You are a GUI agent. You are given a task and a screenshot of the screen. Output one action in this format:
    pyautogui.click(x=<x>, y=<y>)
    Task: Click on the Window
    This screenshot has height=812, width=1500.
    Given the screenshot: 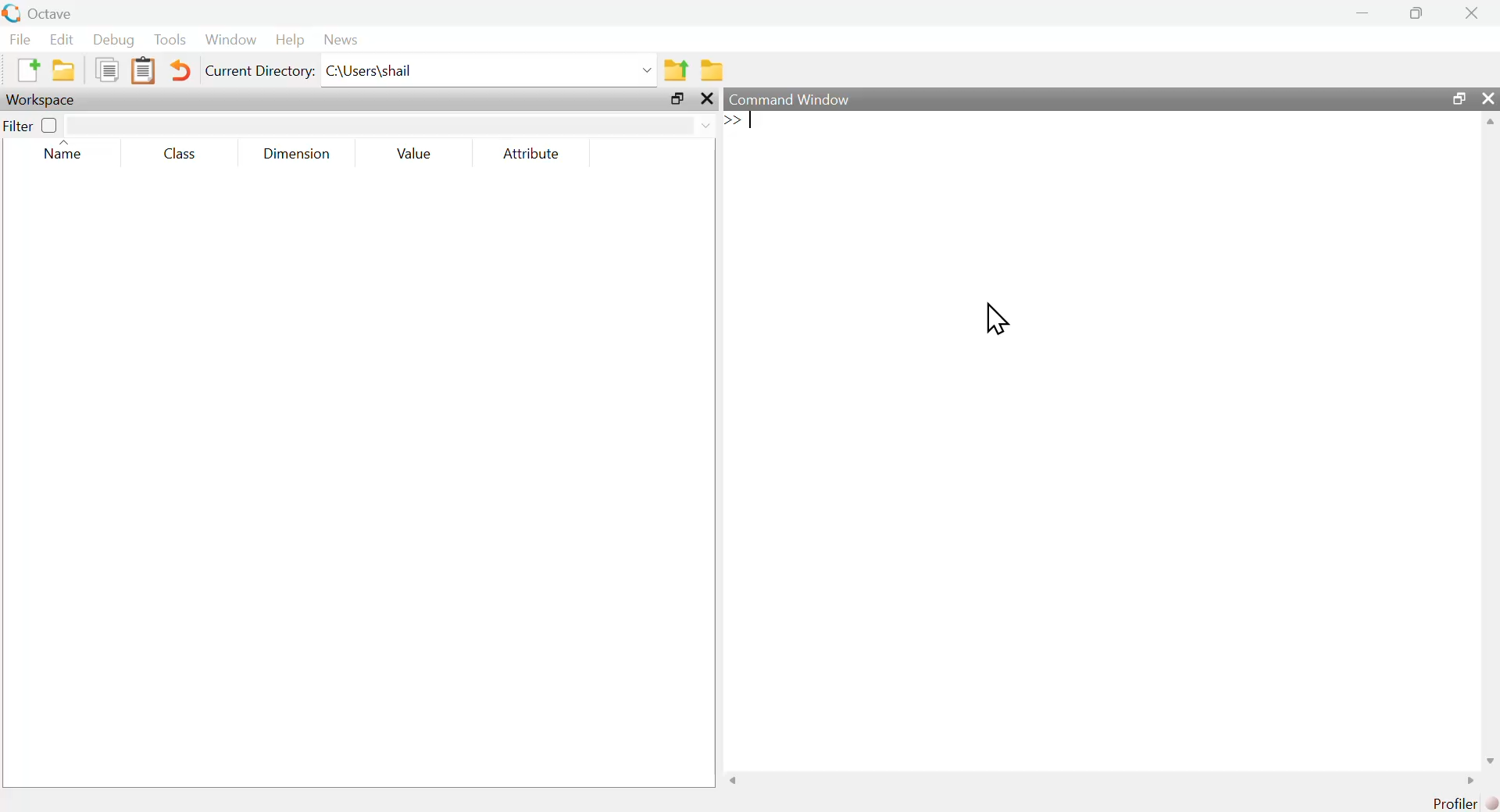 What is the action you would take?
    pyautogui.click(x=230, y=40)
    